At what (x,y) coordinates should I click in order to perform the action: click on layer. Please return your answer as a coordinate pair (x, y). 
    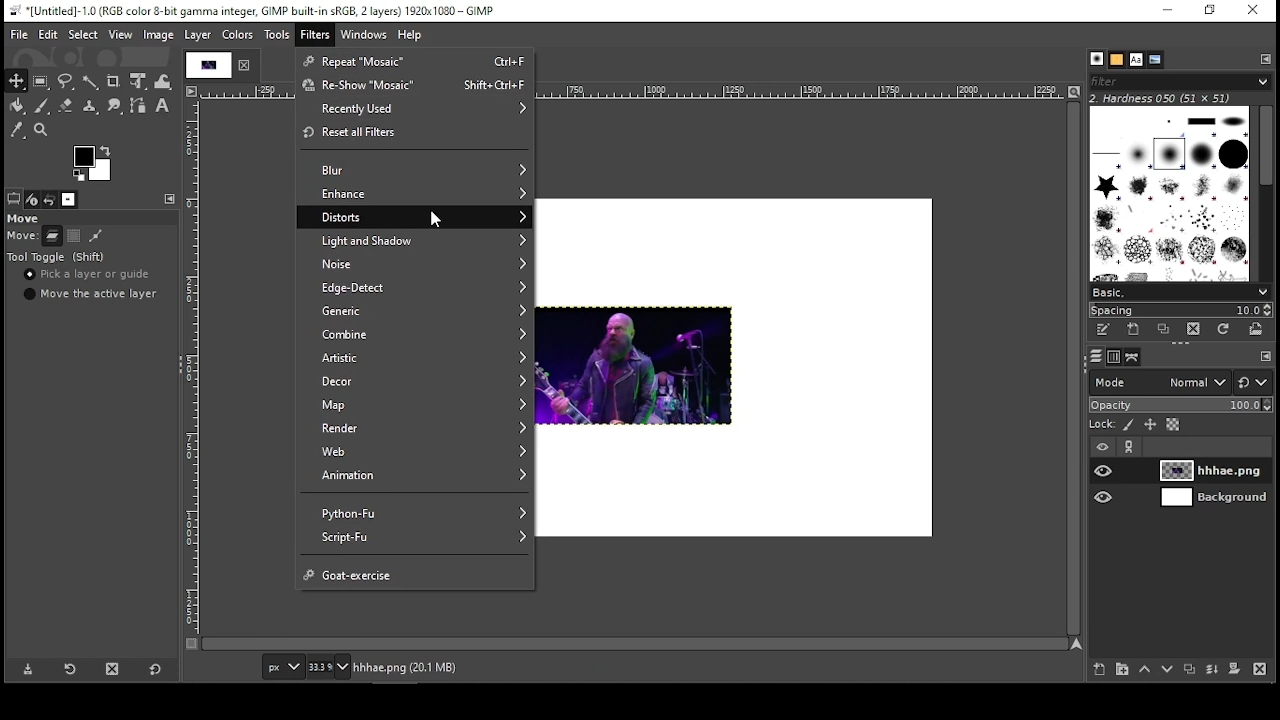
    Looking at the image, I should click on (198, 34).